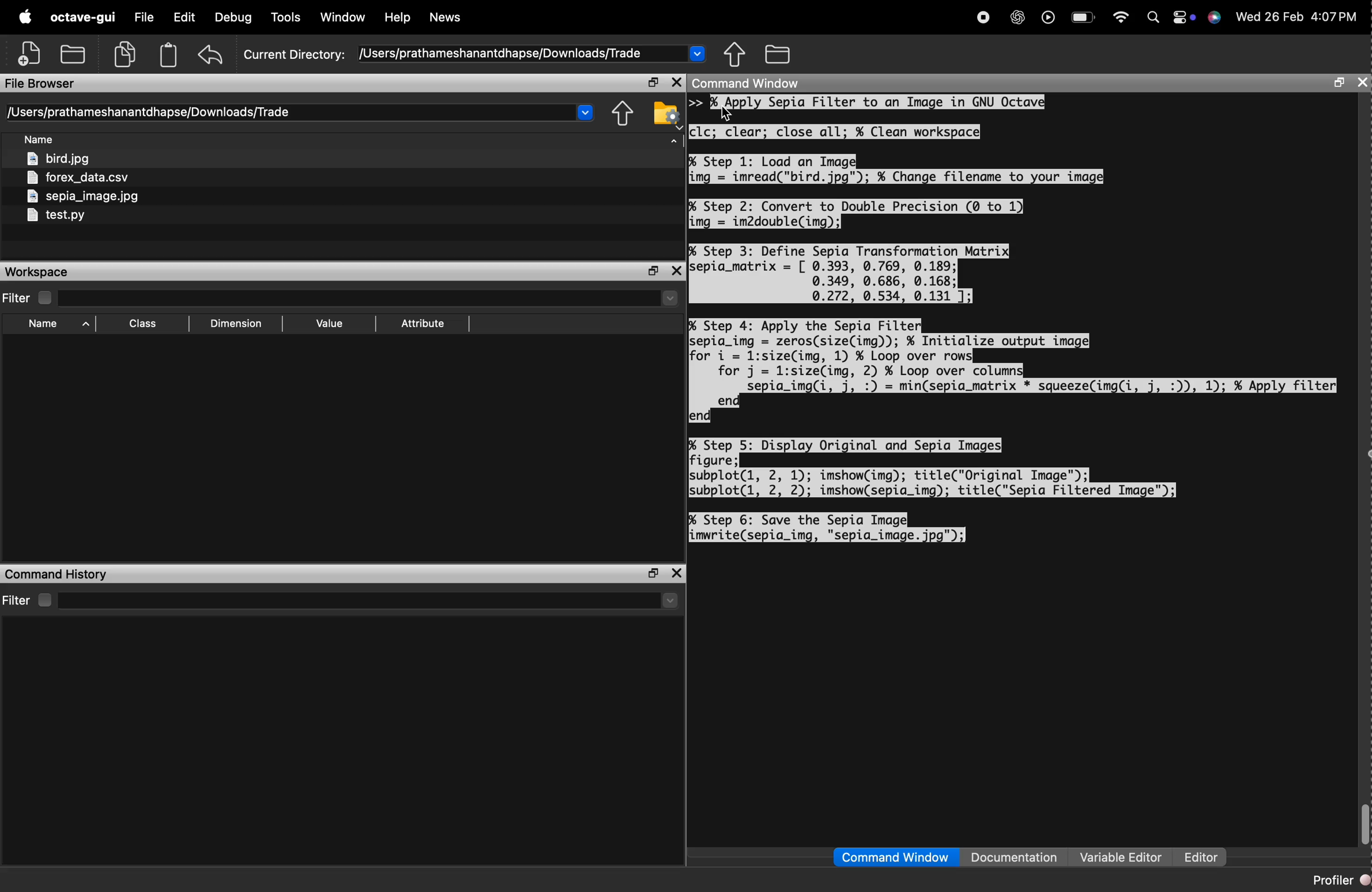  Describe the element at coordinates (984, 18) in the screenshot. I see `stop recording` at that location.